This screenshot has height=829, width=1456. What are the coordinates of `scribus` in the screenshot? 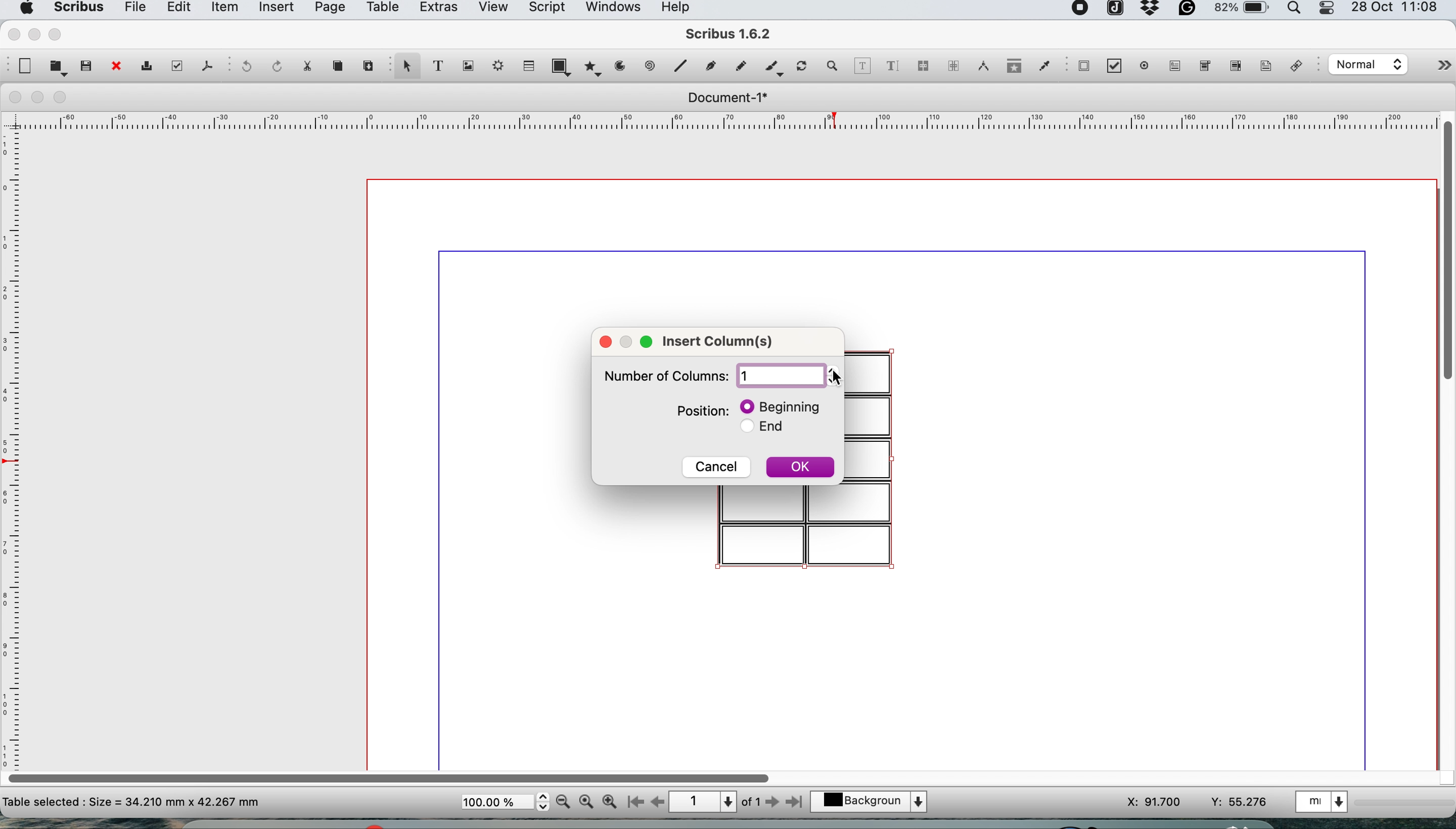 It's located at (77, 9).